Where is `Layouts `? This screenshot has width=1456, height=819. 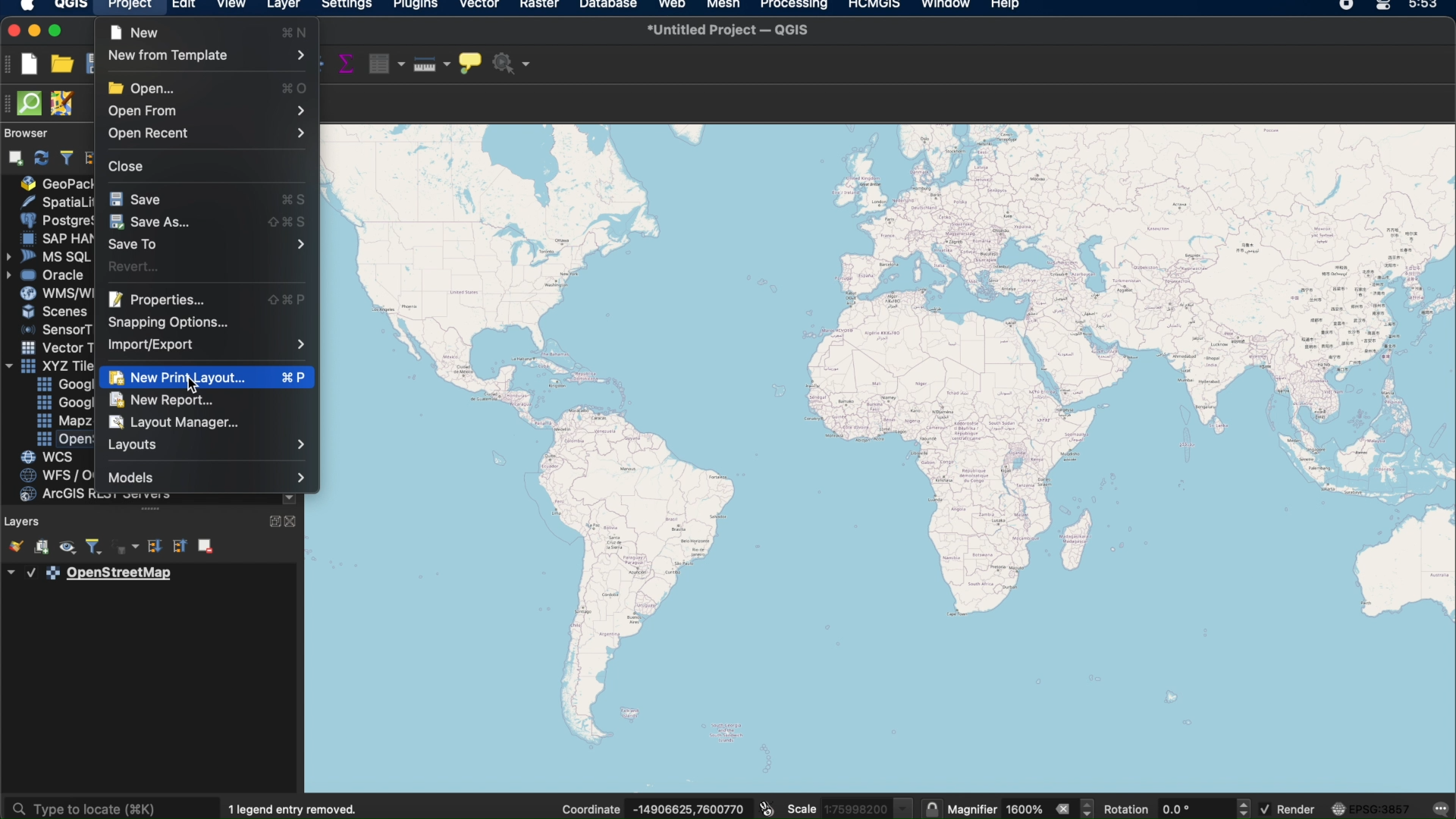 Layouts  is located at coordinates (206, 444).